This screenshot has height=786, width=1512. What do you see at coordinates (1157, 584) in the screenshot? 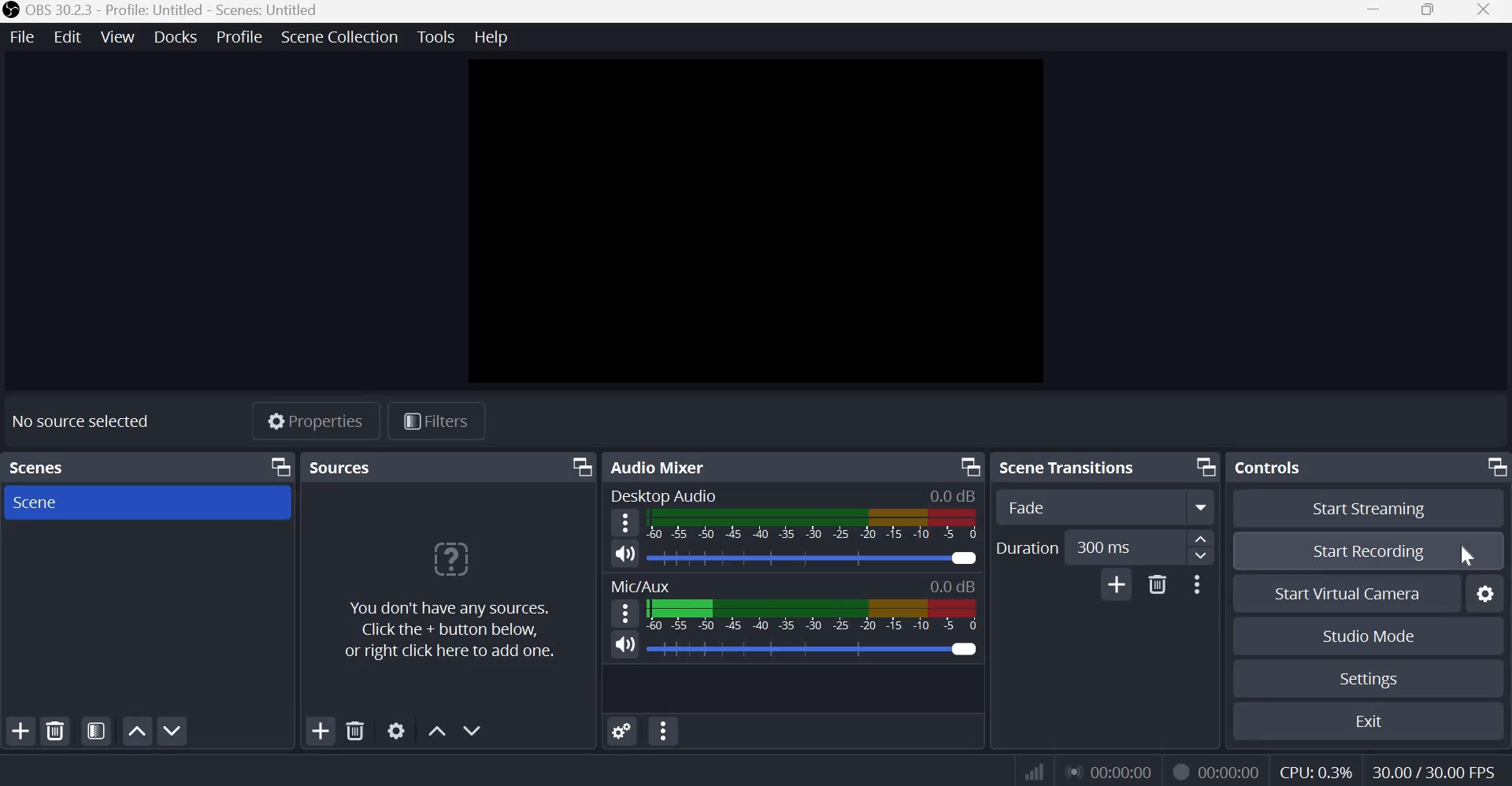
I see `Delete Transition` at bounding box center [1157, 584].